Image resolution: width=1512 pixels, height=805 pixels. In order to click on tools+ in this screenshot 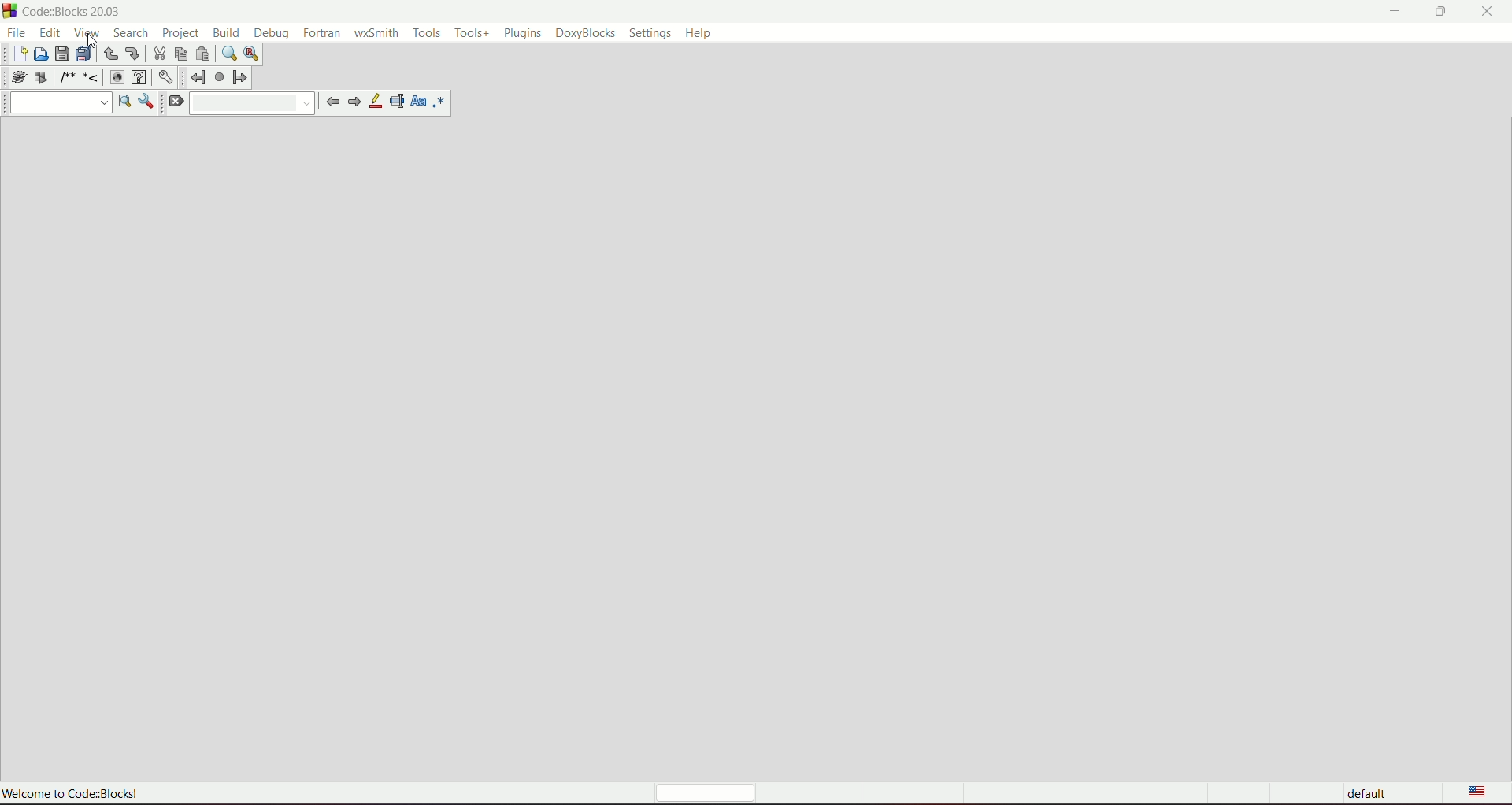, I will do `click(469, 32)`.